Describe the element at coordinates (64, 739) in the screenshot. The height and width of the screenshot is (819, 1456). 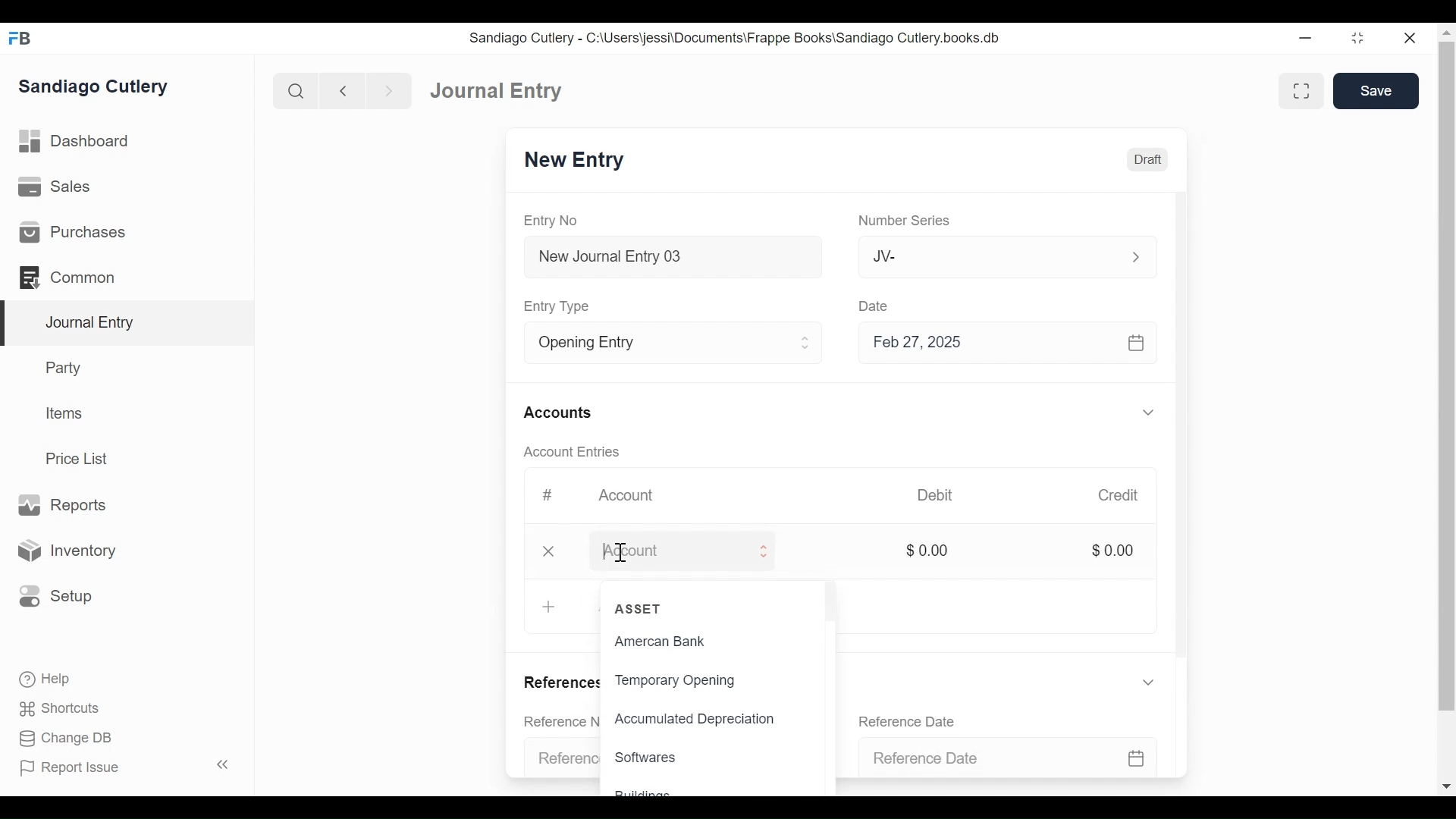
I see `Change DB` at that location.